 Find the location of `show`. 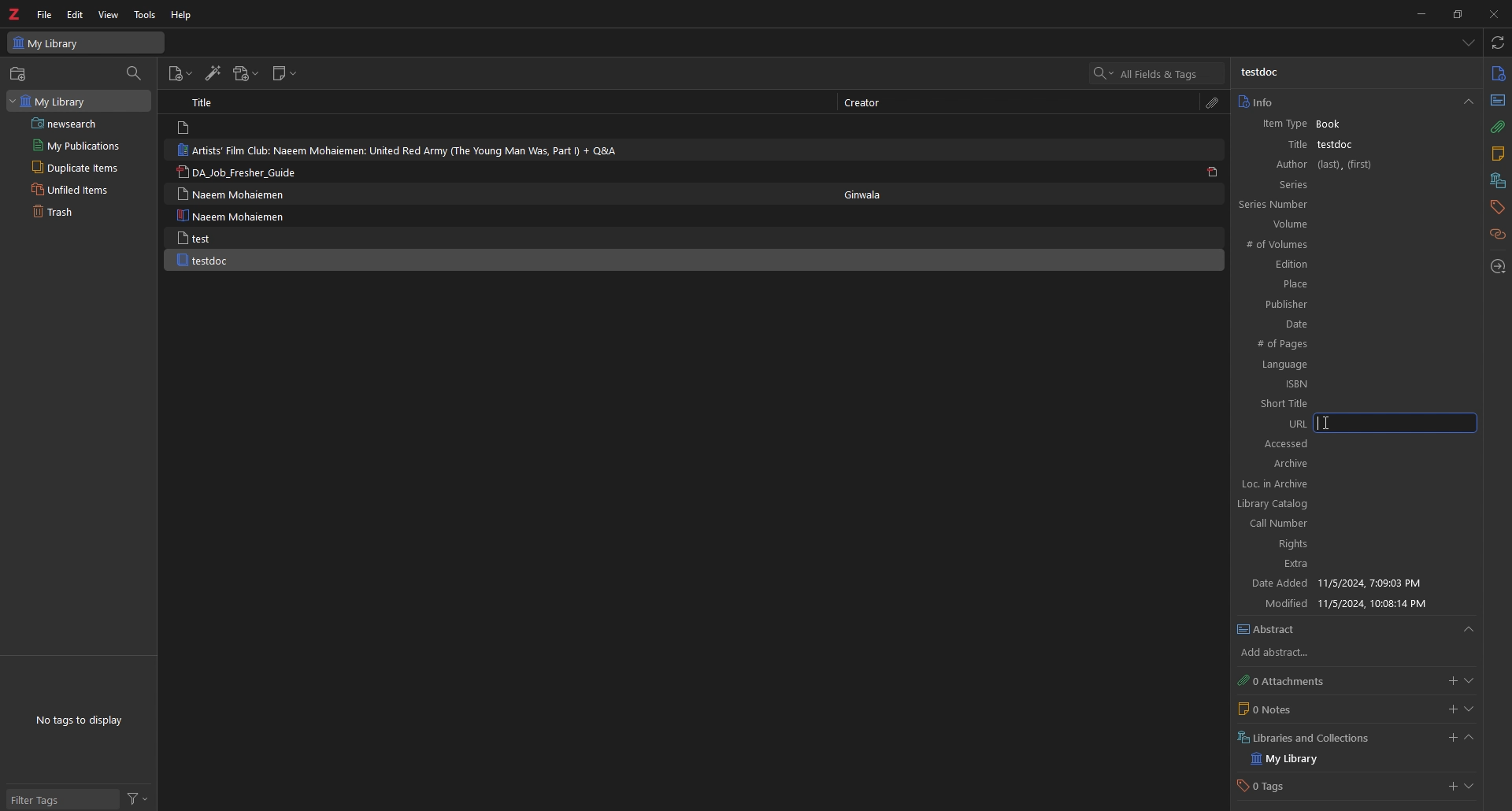

show is located at coordinates (1469, 680).